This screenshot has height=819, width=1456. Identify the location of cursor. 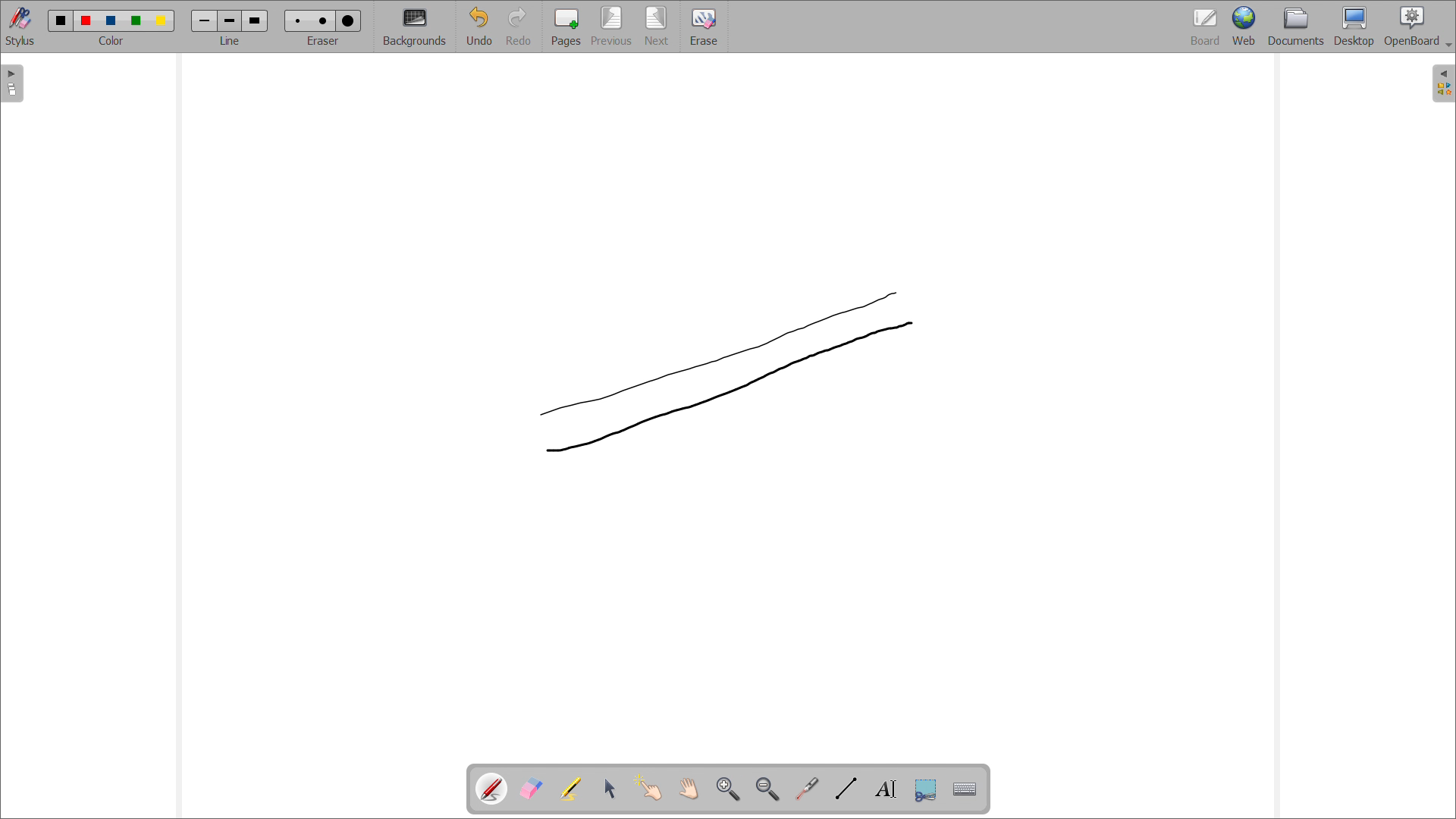
(912, 324).